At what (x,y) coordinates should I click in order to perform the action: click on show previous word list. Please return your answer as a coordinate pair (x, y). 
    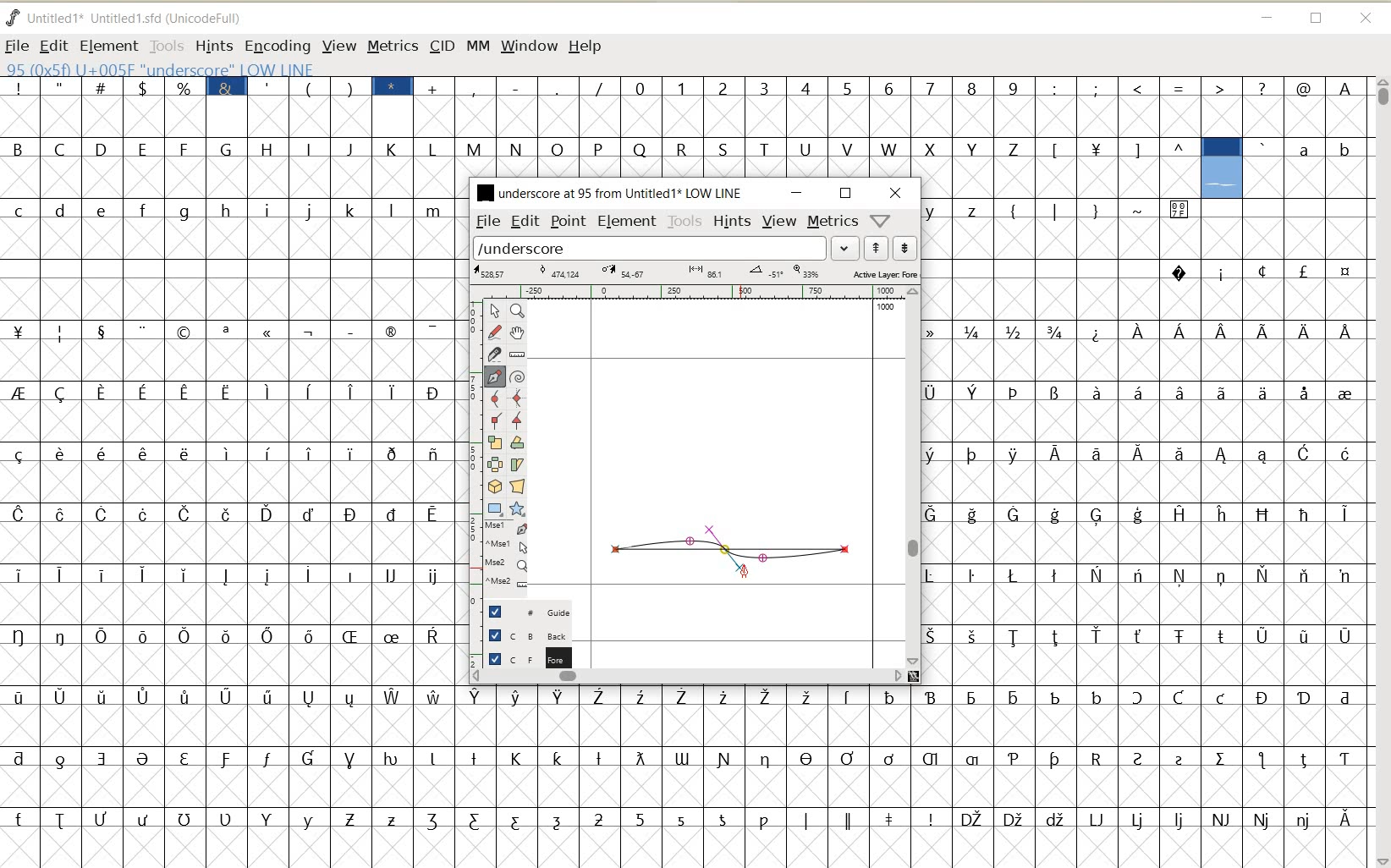
    Looking at the image, I should click on (877, 248).